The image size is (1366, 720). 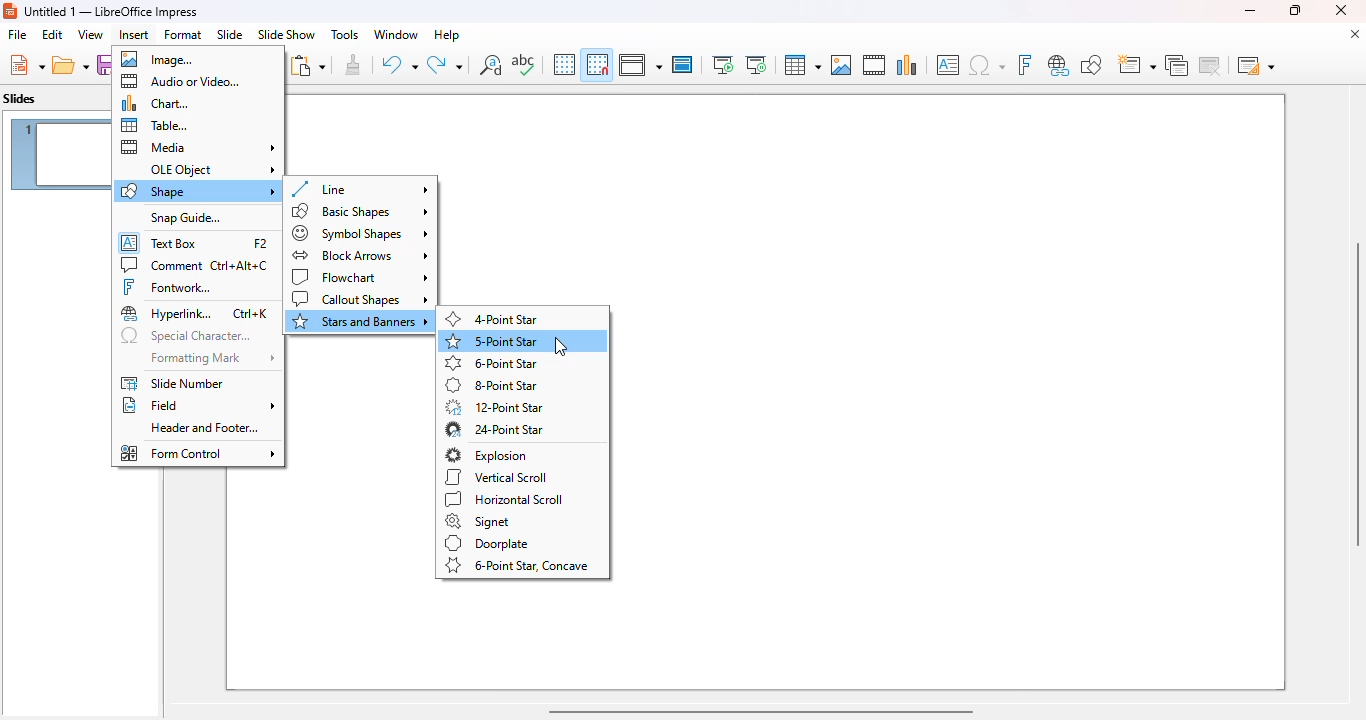 I want to click on text box, so click(x=195, y=241).